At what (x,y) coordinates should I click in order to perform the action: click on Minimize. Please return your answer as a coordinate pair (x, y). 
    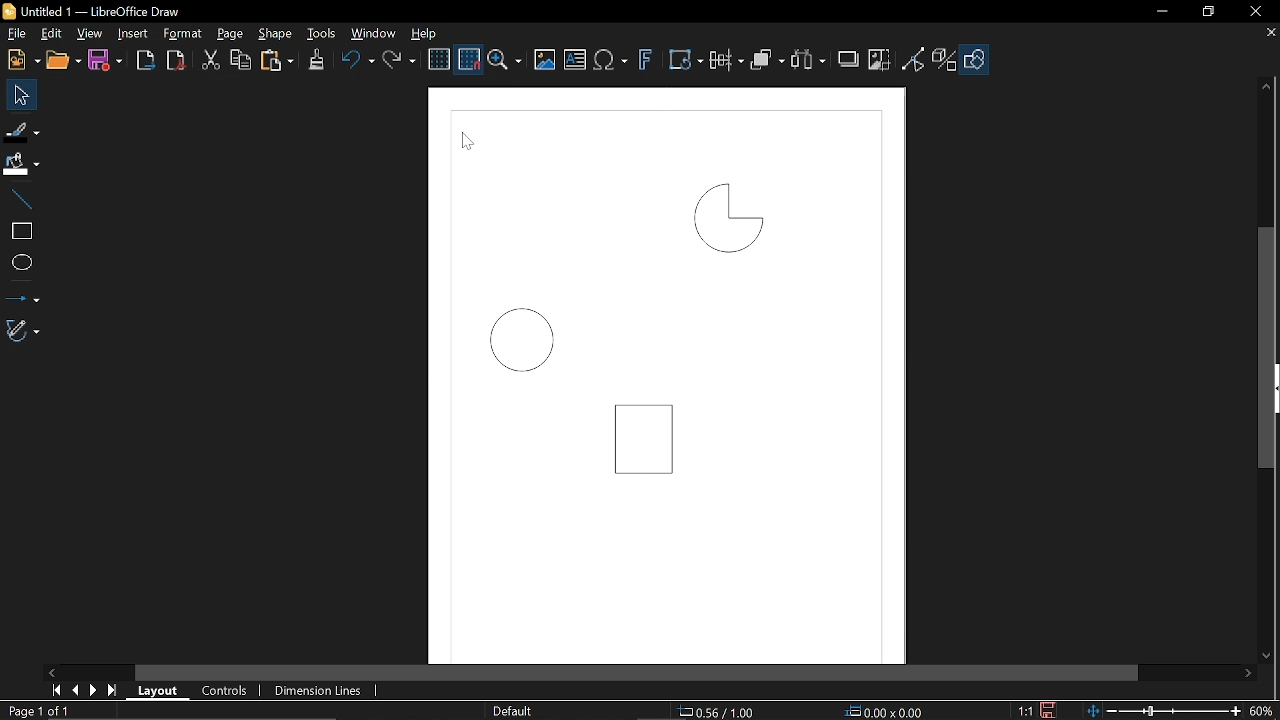
    Looking at the image, I should click on (1167, 12).